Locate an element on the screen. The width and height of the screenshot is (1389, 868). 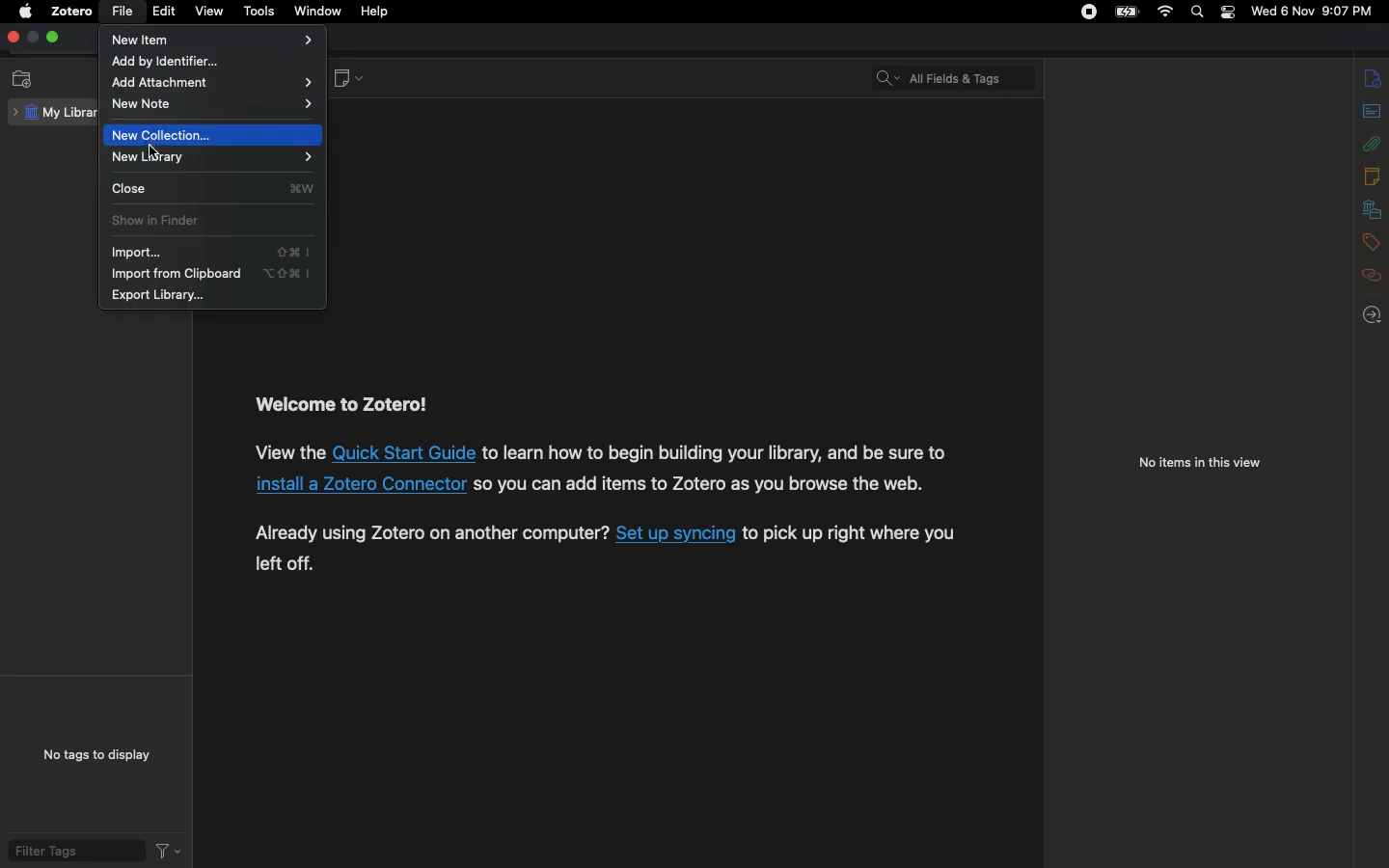
Zotero is located at coordinates (72, 12).